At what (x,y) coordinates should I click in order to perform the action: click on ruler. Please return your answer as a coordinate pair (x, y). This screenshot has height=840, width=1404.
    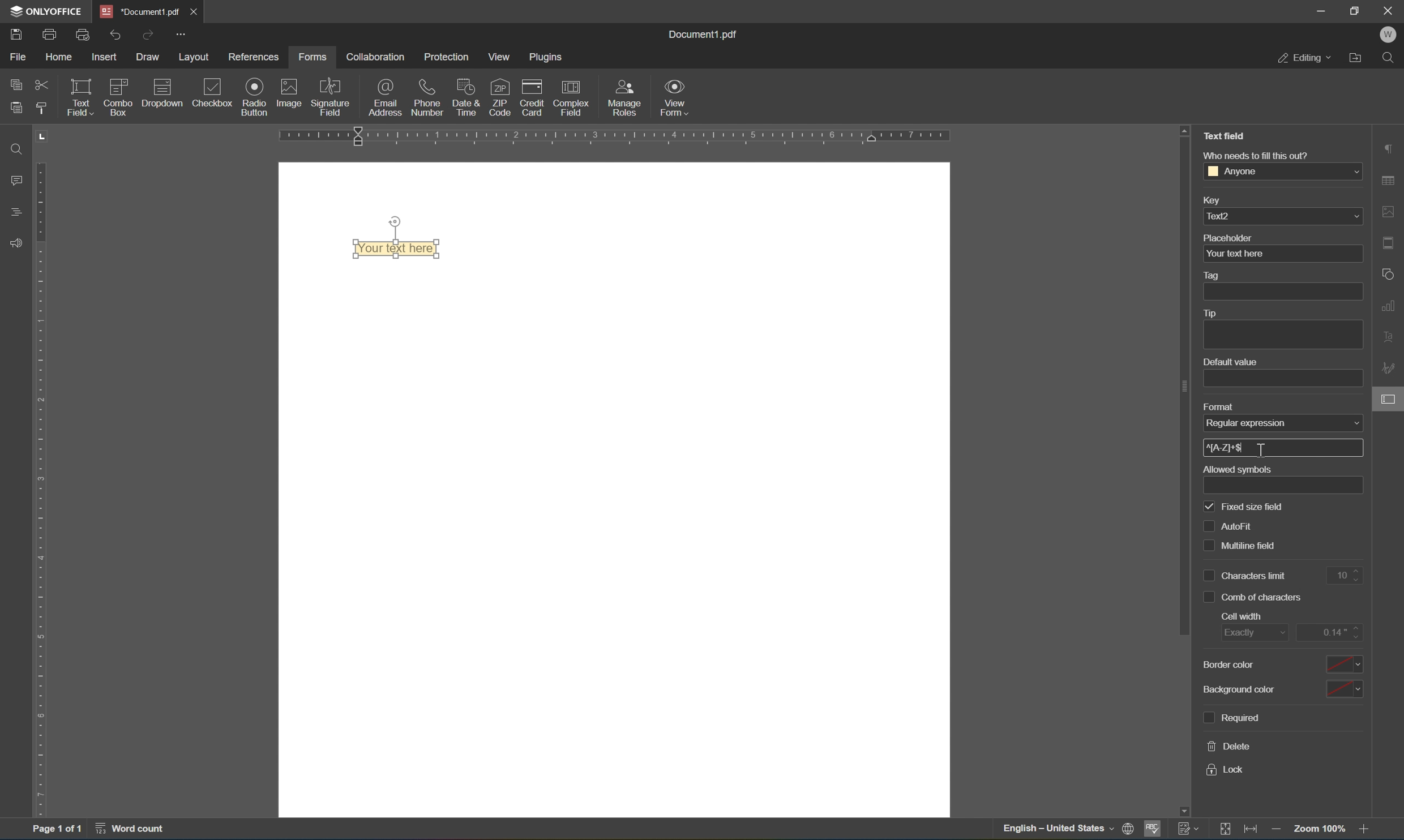
    Looking at the image, I should click on (614, 137).